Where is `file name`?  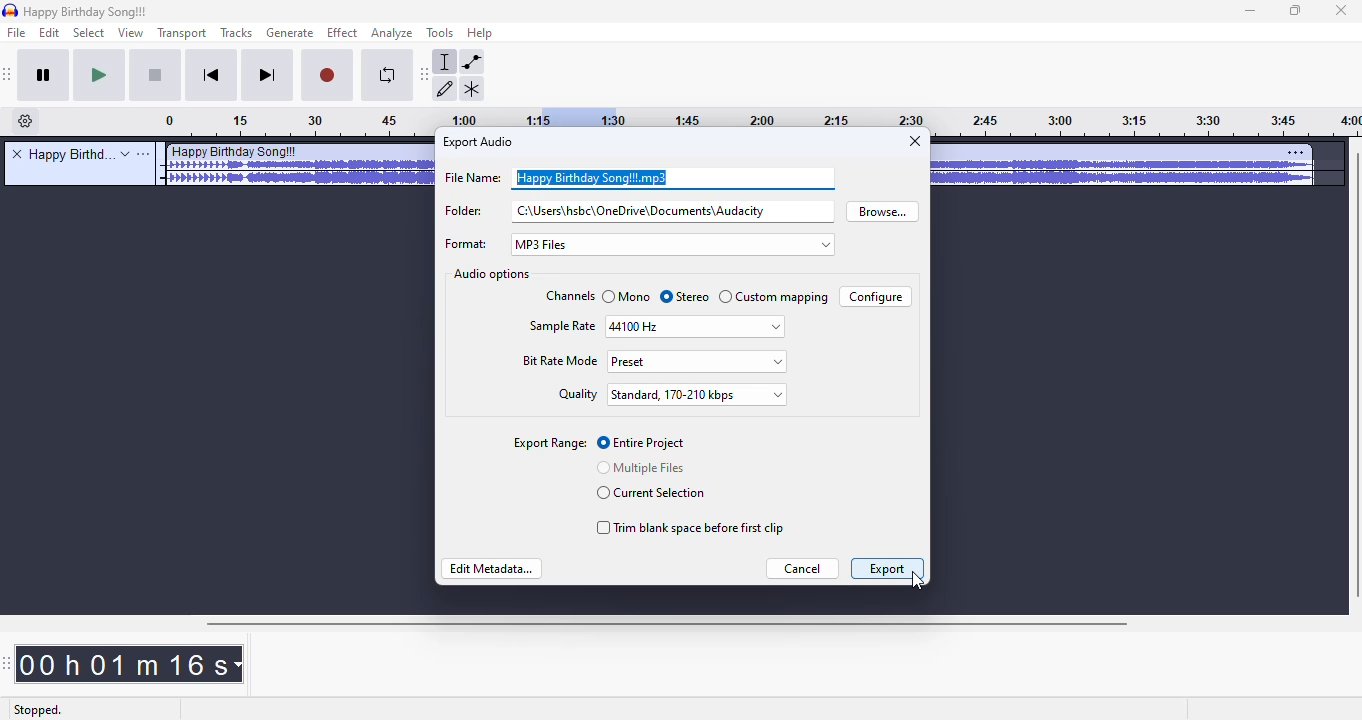 file name is located at coordinates (640, 177).